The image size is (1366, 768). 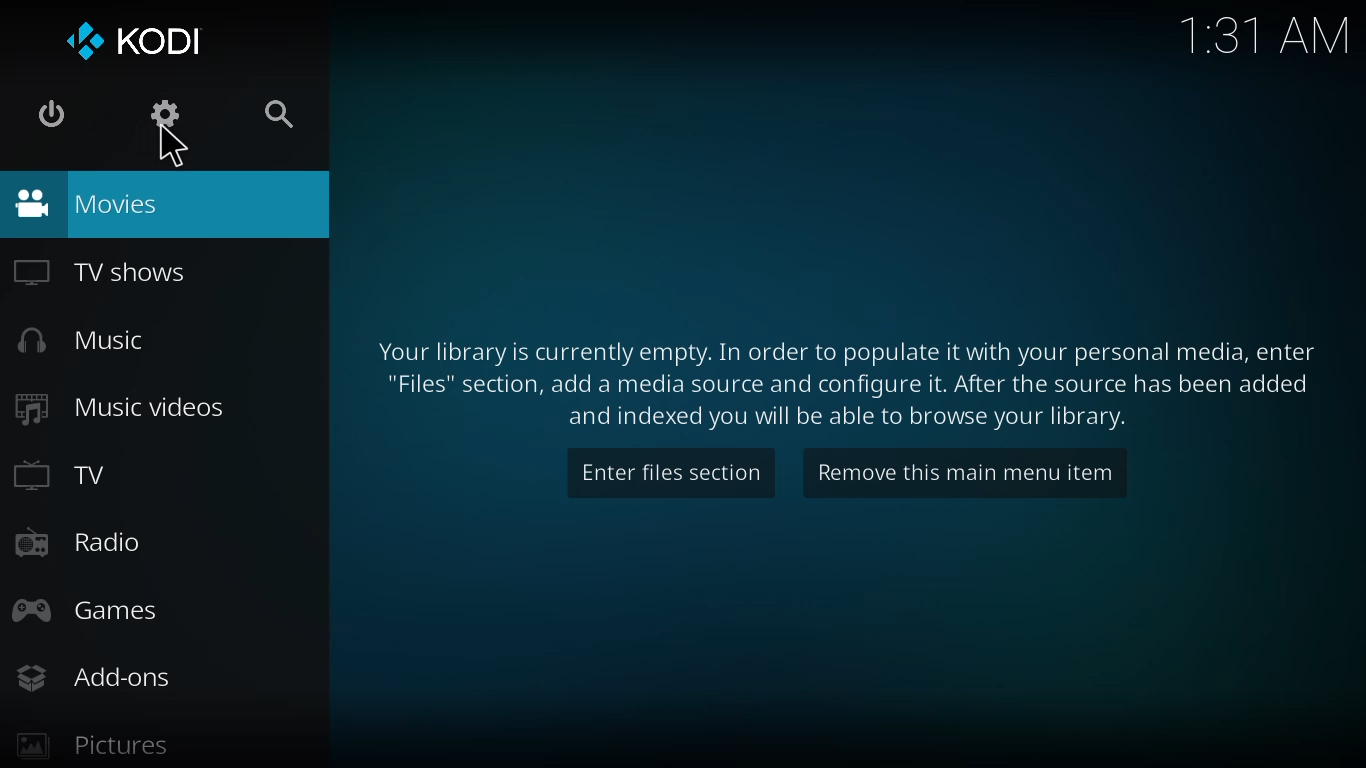 What do you see at coordinates (673, 471) in the screenshot?
I see `enter files section` at bounding box center [673, 471].